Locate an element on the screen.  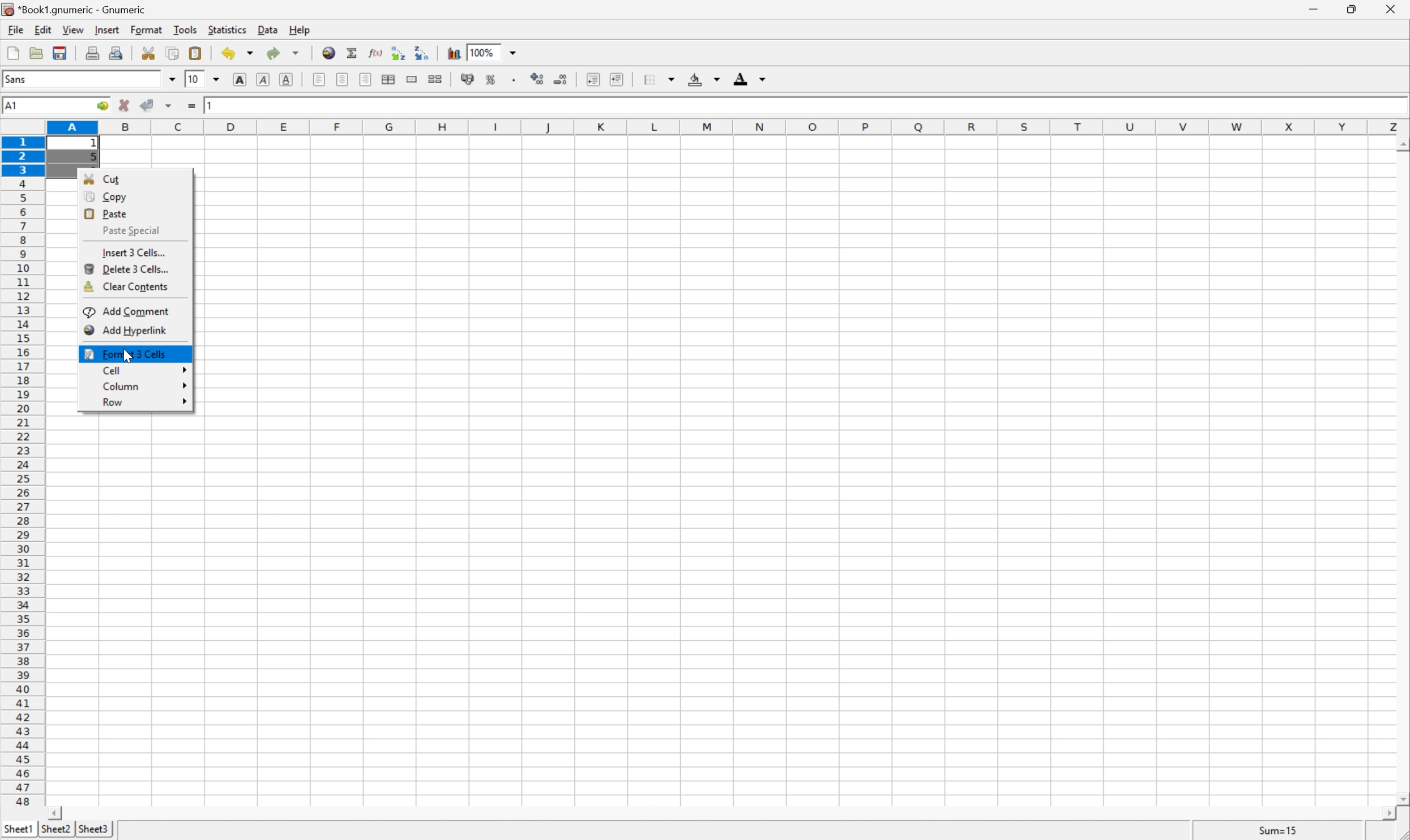
statistics is located at coordinates (226, 29).